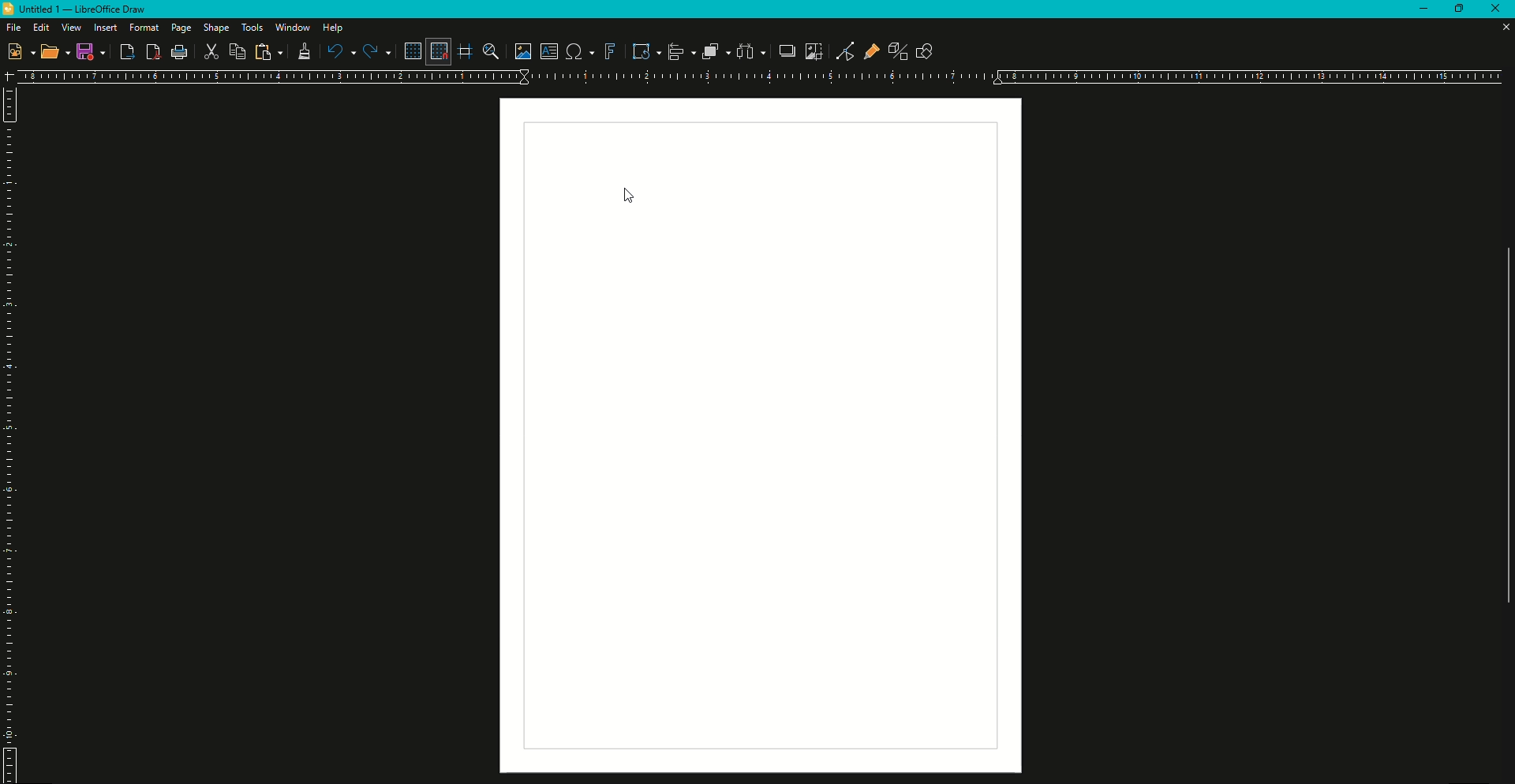 The height and width of the screenshot is (784, 1515). Describe the element at coordinates (610, 50) in the screenshot. I see `Fontwork` at that location.